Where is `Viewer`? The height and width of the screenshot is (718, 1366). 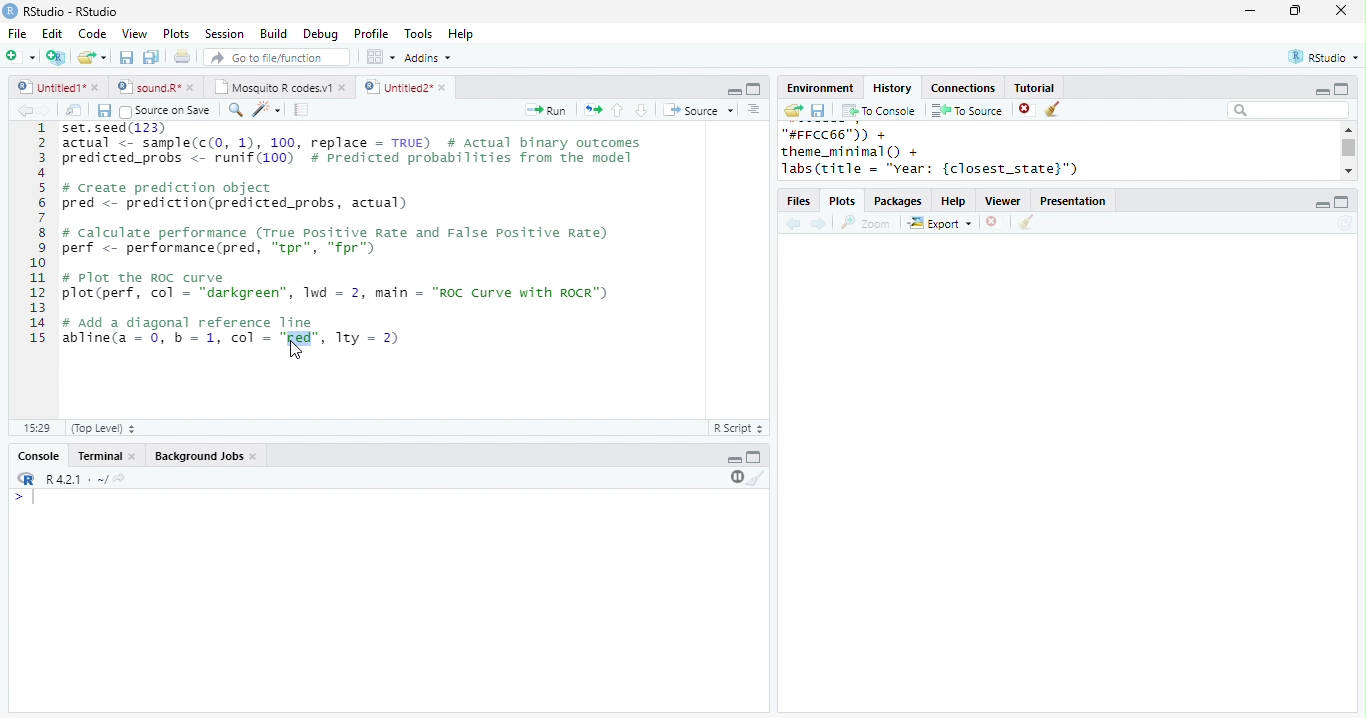
Viewer is located at coordinates (1004, 202).